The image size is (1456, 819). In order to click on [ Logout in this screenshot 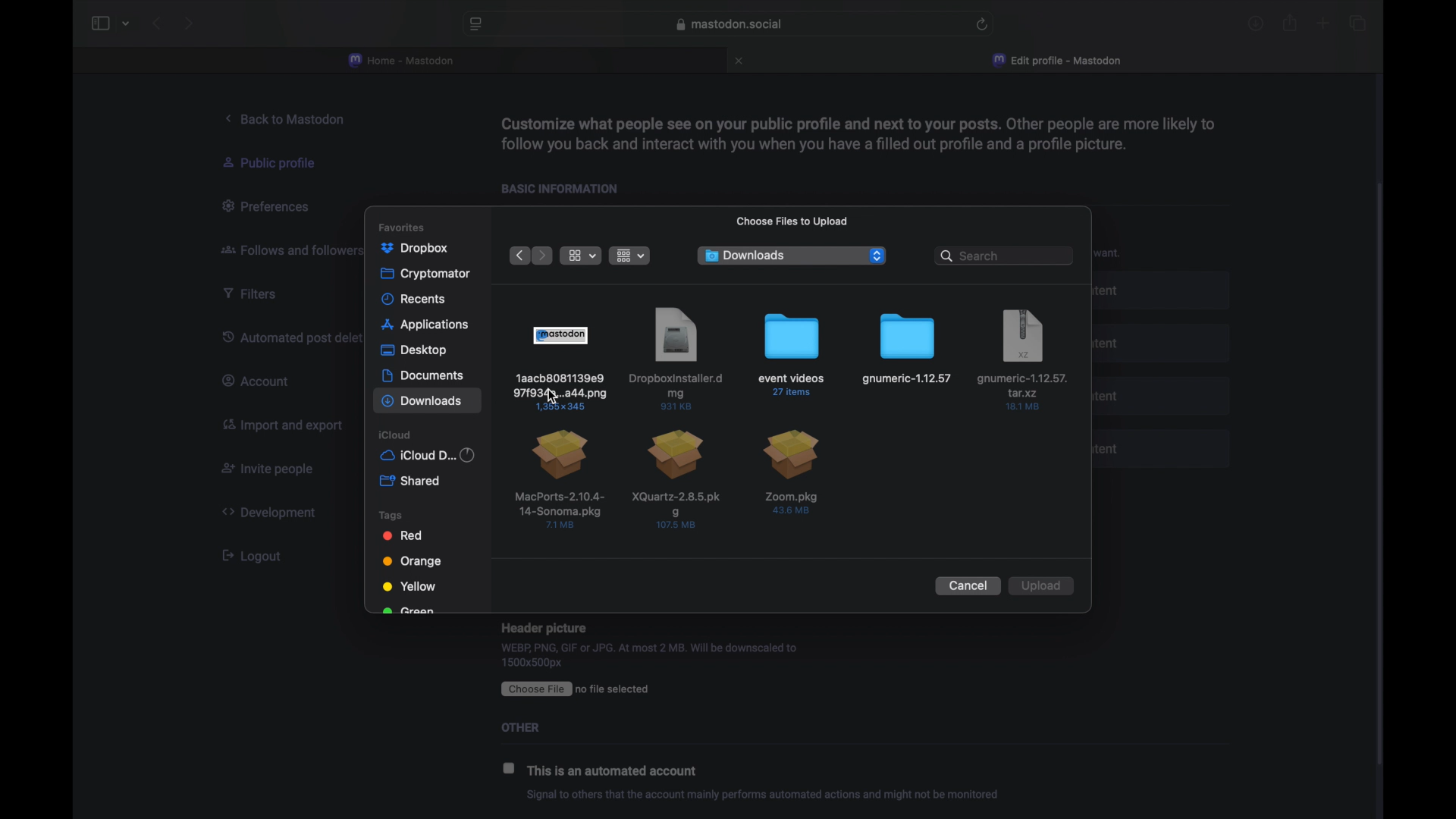, I will do `click(258, 555)`.